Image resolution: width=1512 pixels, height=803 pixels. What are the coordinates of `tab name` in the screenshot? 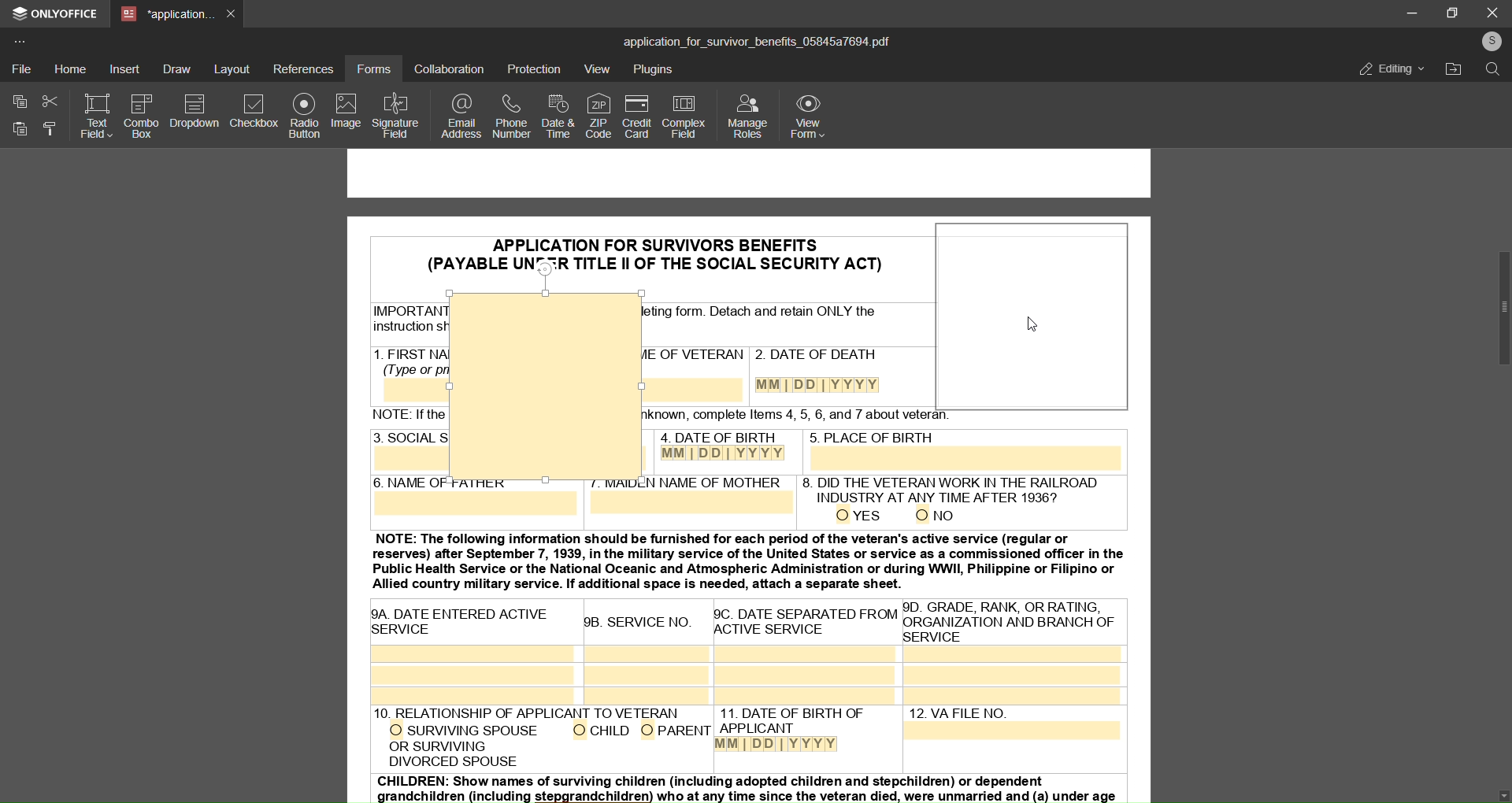 It's located at (166, 15).